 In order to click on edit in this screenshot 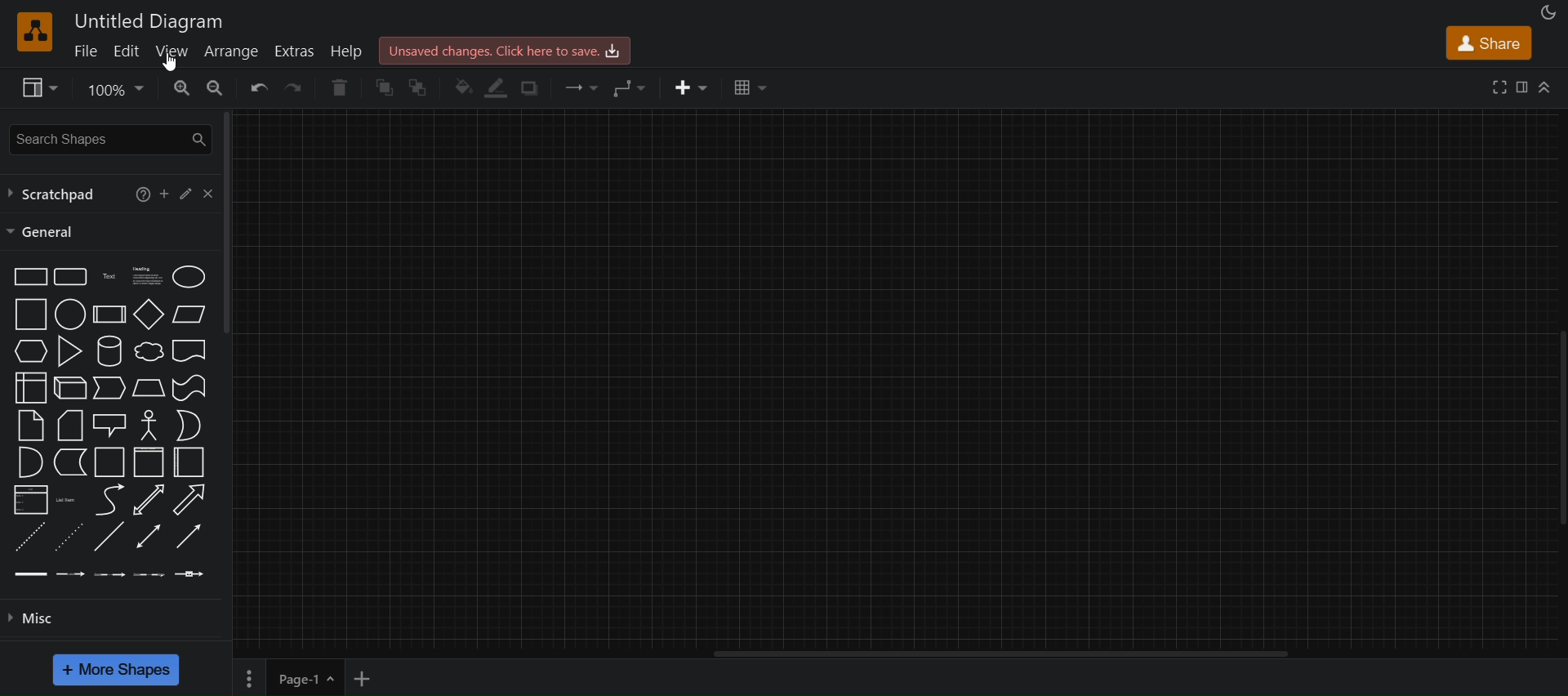, I will do `click(192, 197)`.